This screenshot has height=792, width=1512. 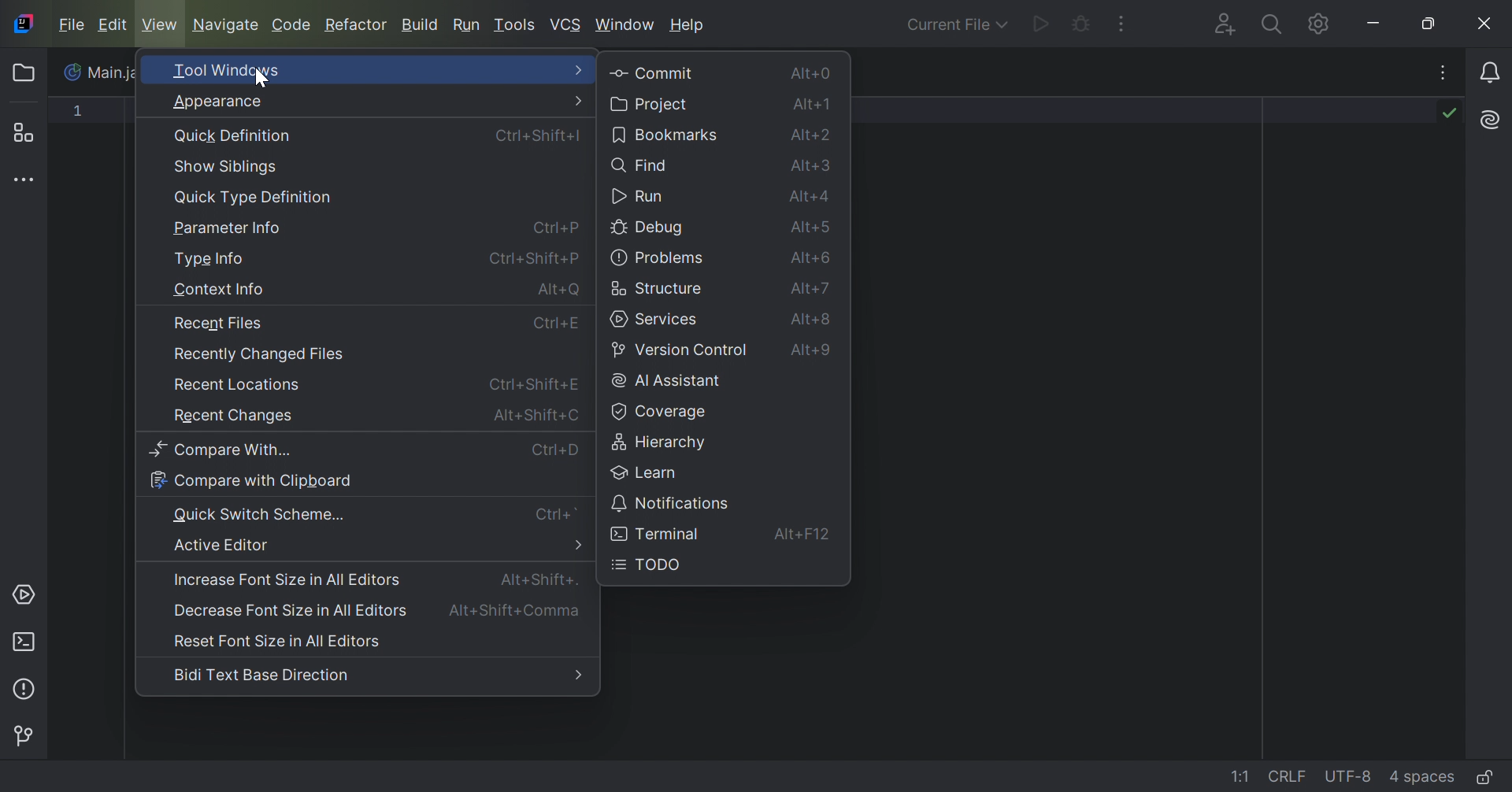 What do you see at coordinates (228, 70) in the screenshot?
I see `Tool Windows` at bounding box center [228, 70].